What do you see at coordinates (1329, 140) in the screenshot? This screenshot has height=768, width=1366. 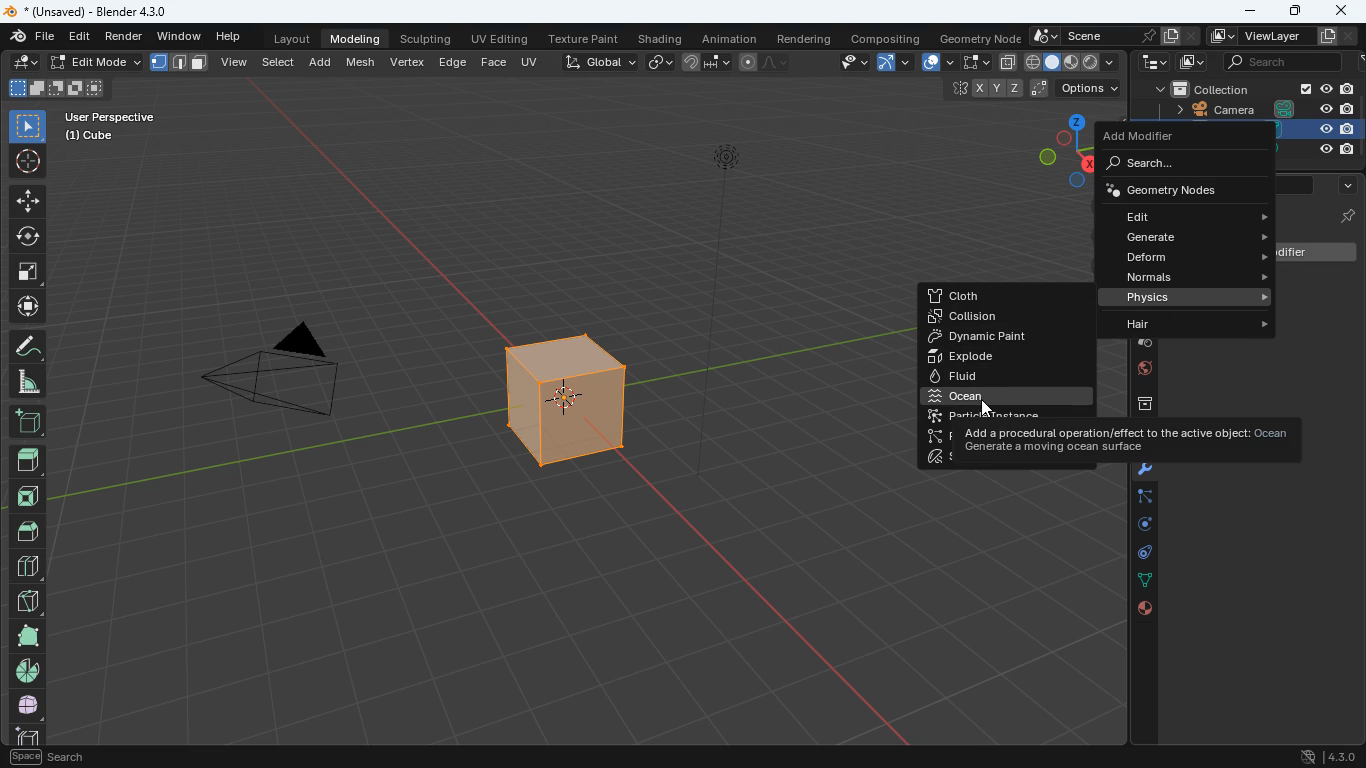 I see `cube` at bounding box center [1329, 140].